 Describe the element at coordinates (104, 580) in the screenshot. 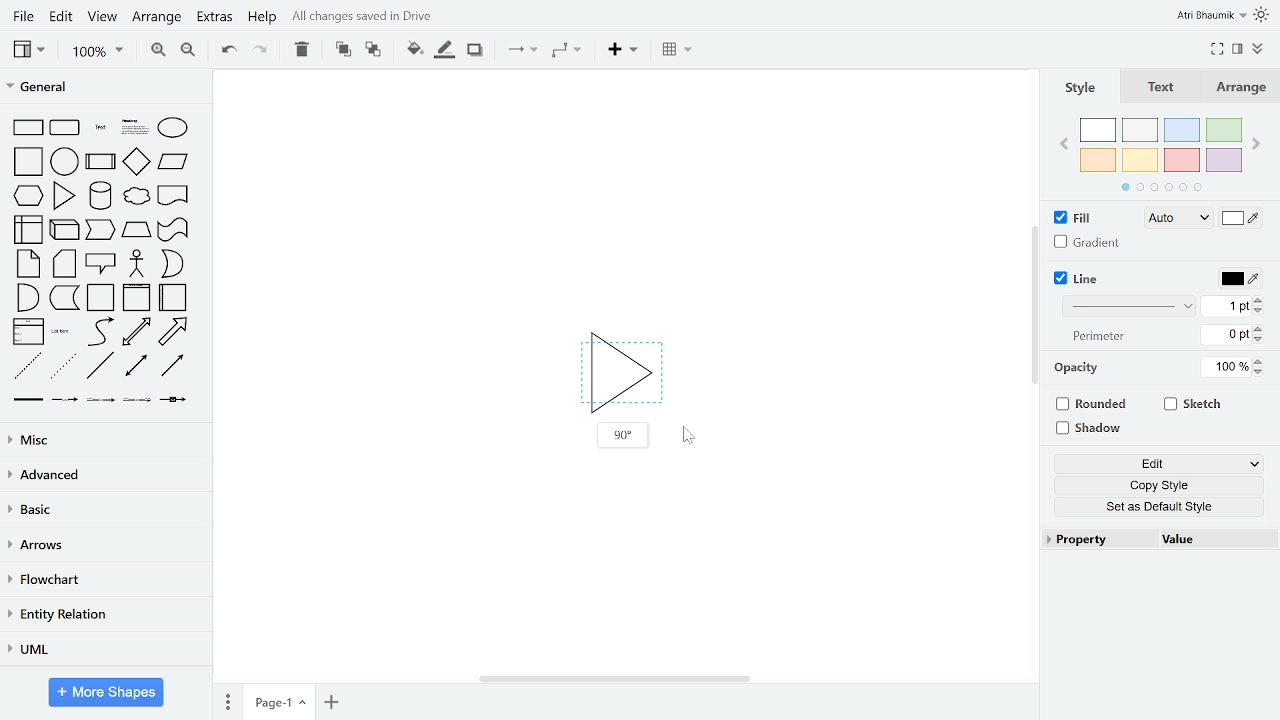

I see `flowchart` at that location.